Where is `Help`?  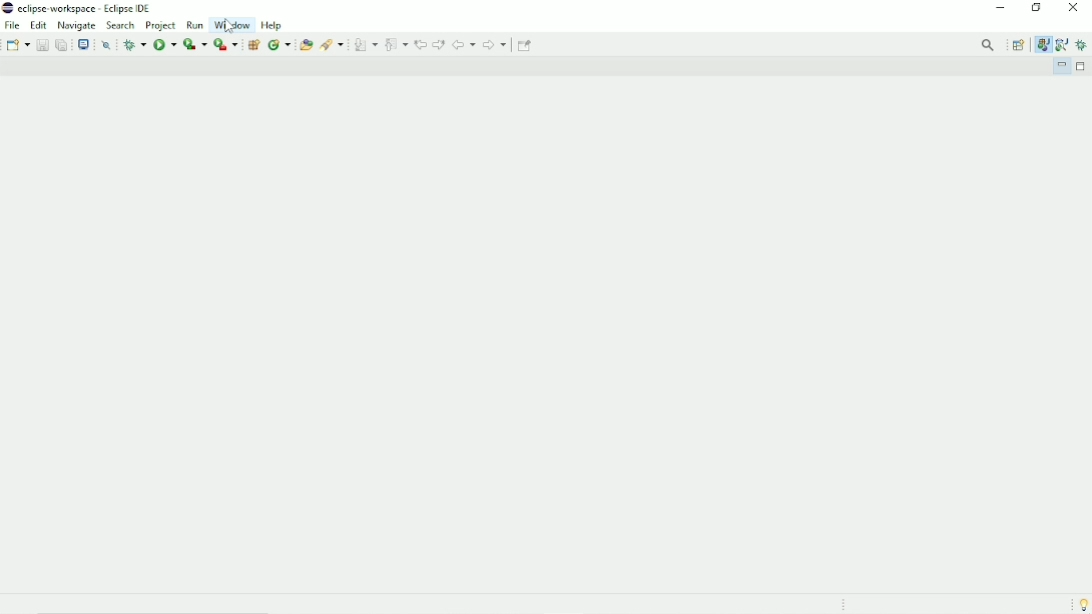
Help is located at coordinates (273, 25).